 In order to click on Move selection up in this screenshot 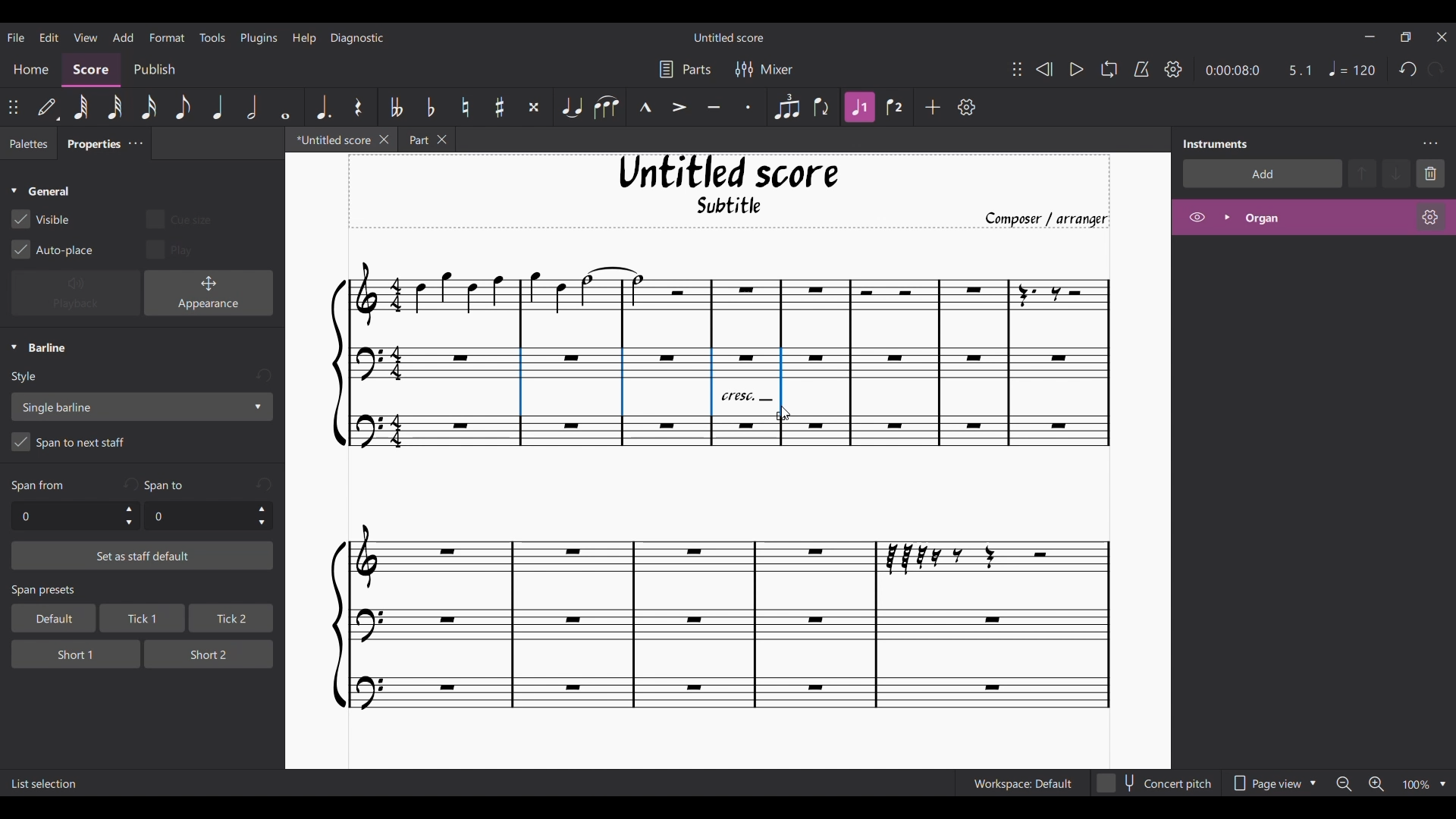, I will do `click(1363, 173)`.